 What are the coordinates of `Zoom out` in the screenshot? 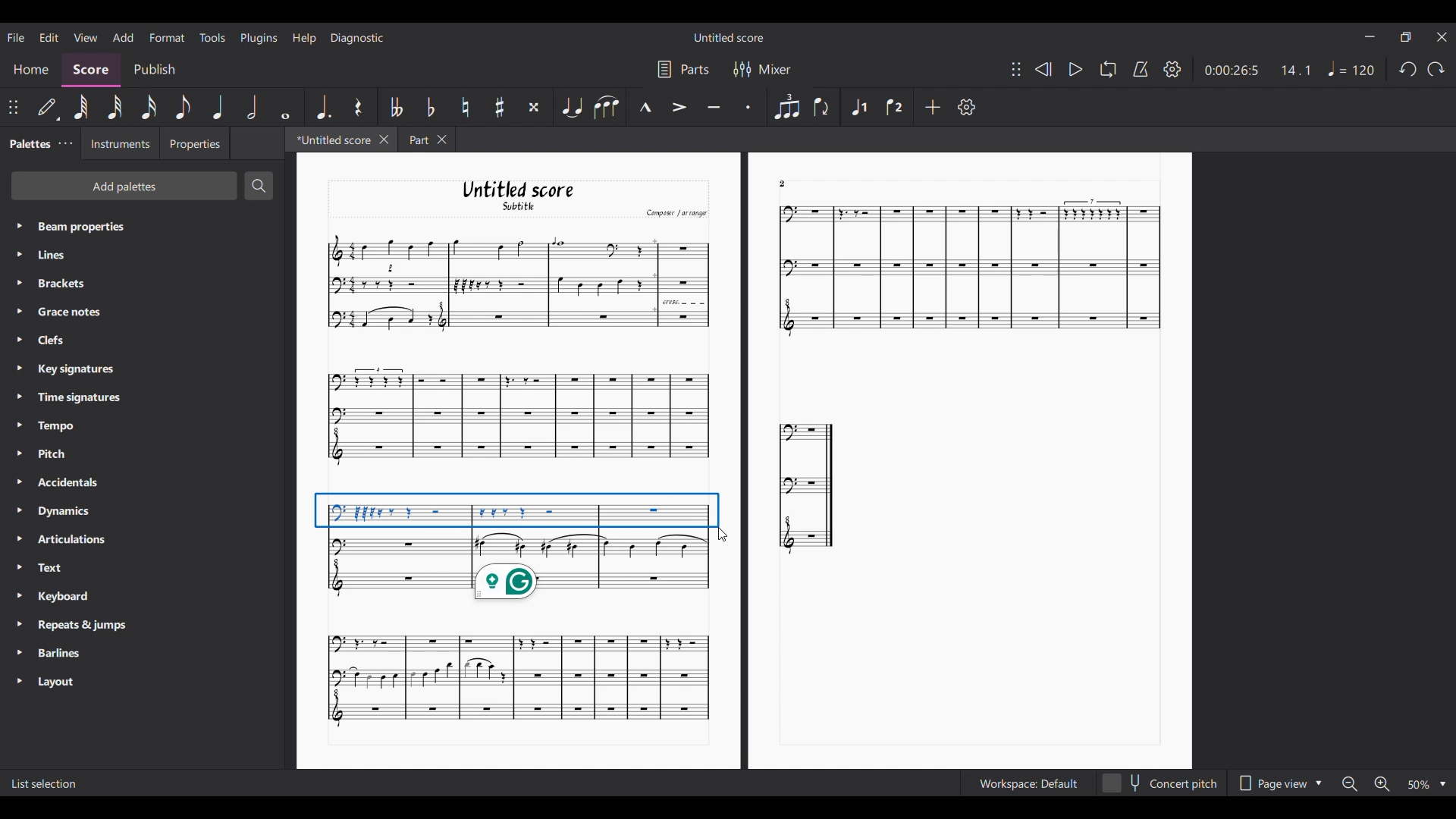 It's located at (1348, 783).